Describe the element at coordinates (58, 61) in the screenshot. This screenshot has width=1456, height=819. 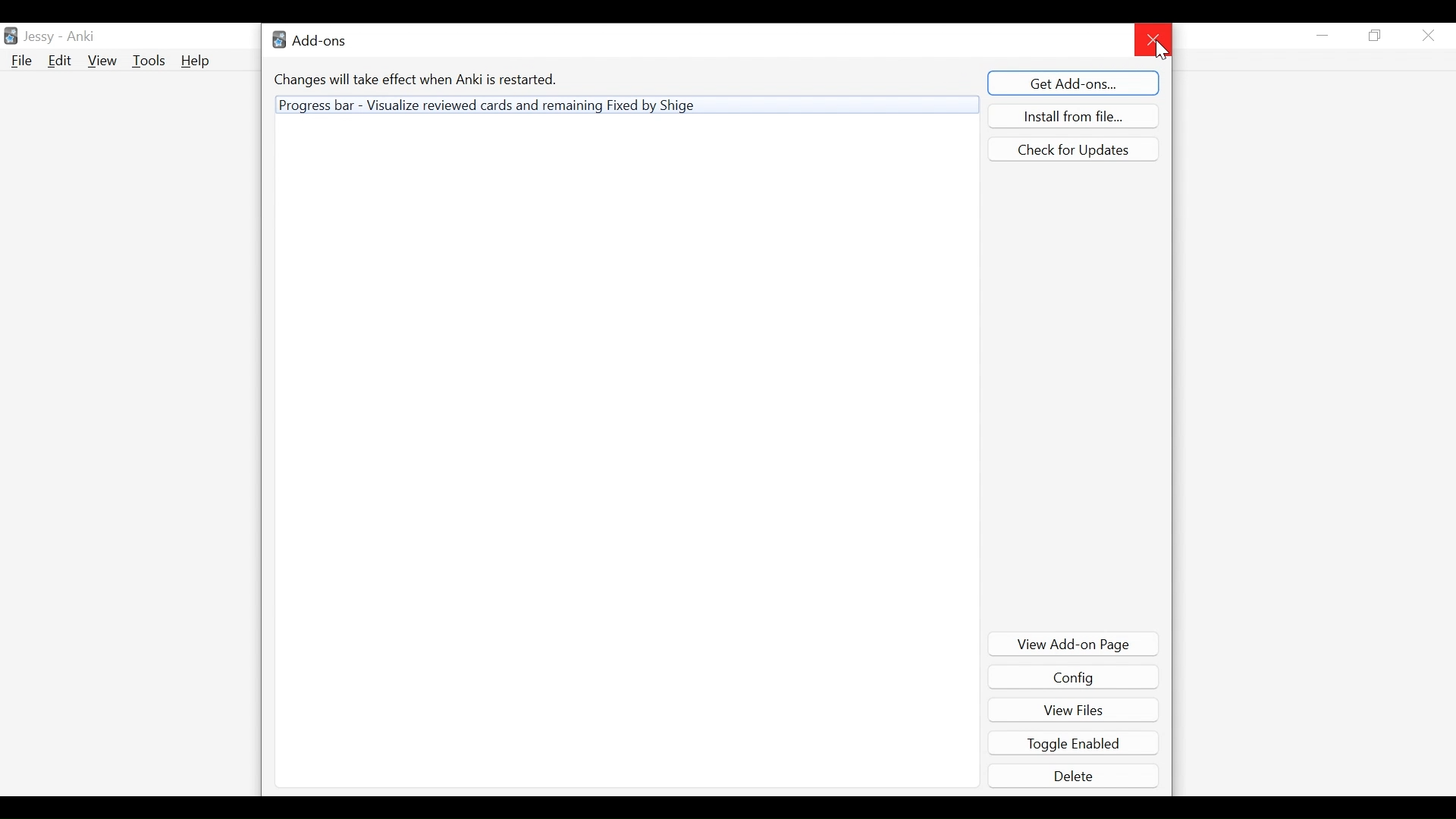
I see `Edit` at that location.